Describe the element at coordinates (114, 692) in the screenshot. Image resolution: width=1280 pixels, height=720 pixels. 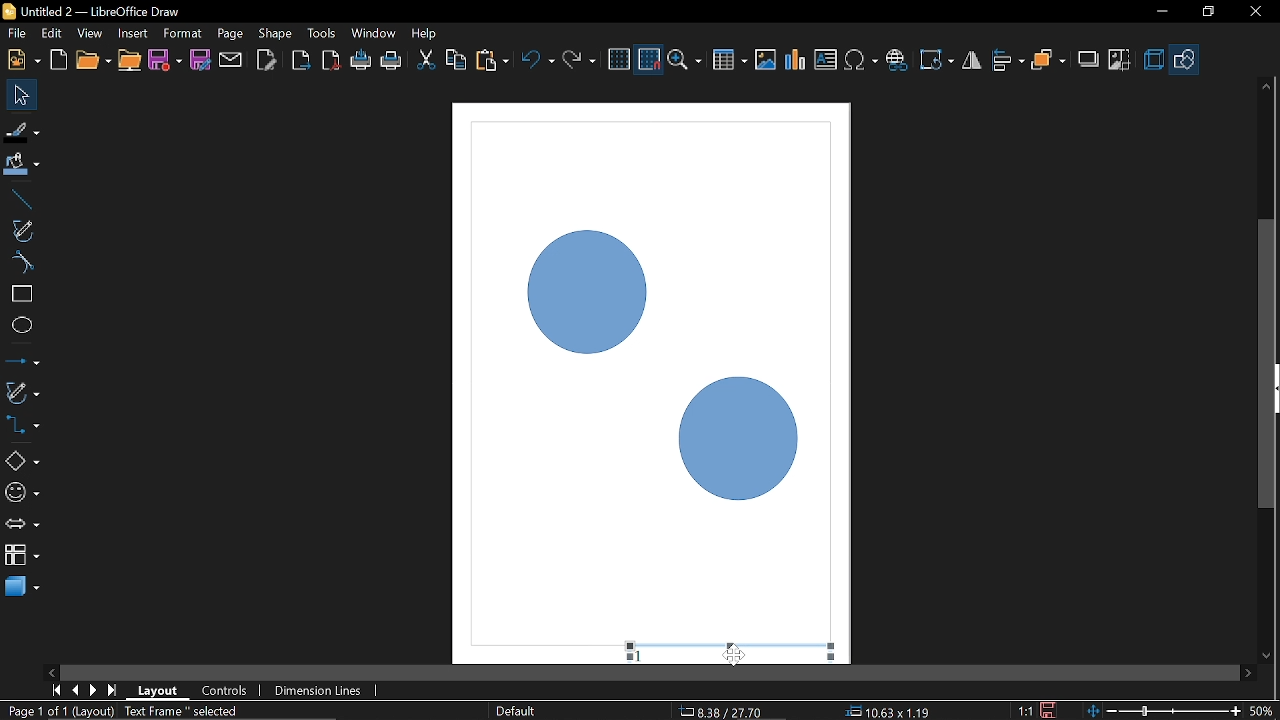
I see `Last page` at that location.